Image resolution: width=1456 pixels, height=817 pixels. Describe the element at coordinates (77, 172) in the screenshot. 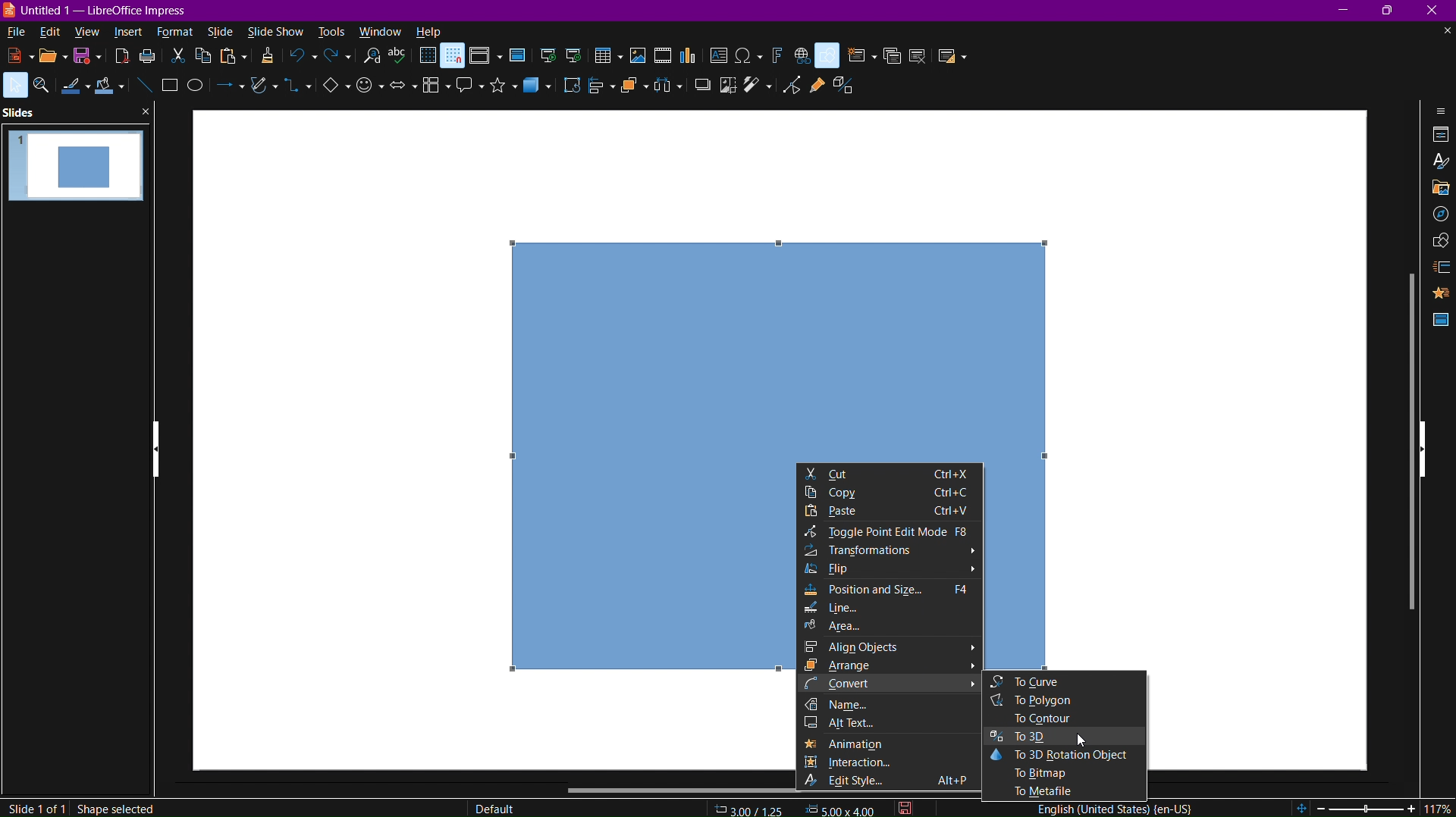

I see `Slide 1` at that location.